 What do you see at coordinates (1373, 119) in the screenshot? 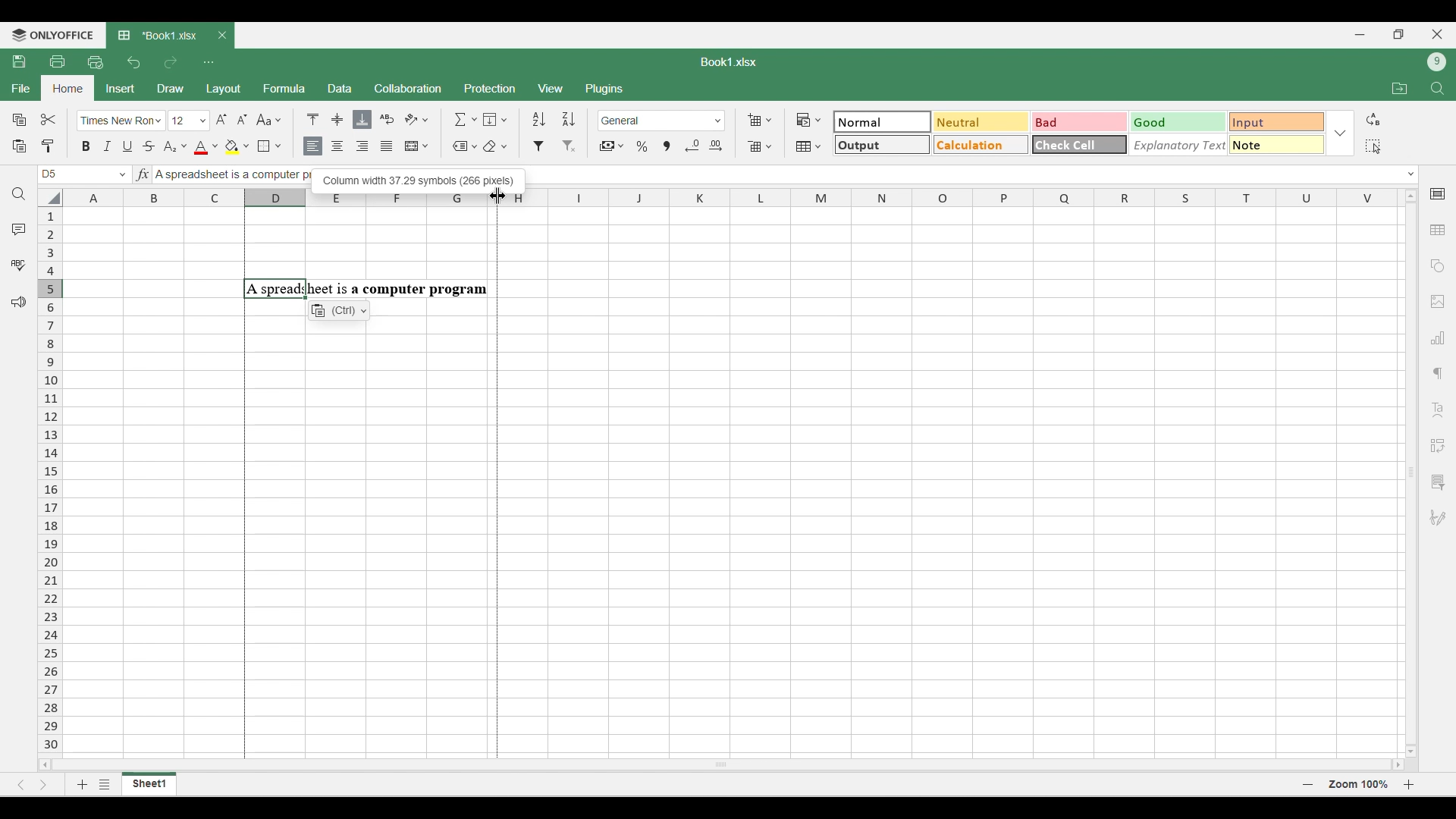
I see `Replace` at bounding box center [1373, 119].